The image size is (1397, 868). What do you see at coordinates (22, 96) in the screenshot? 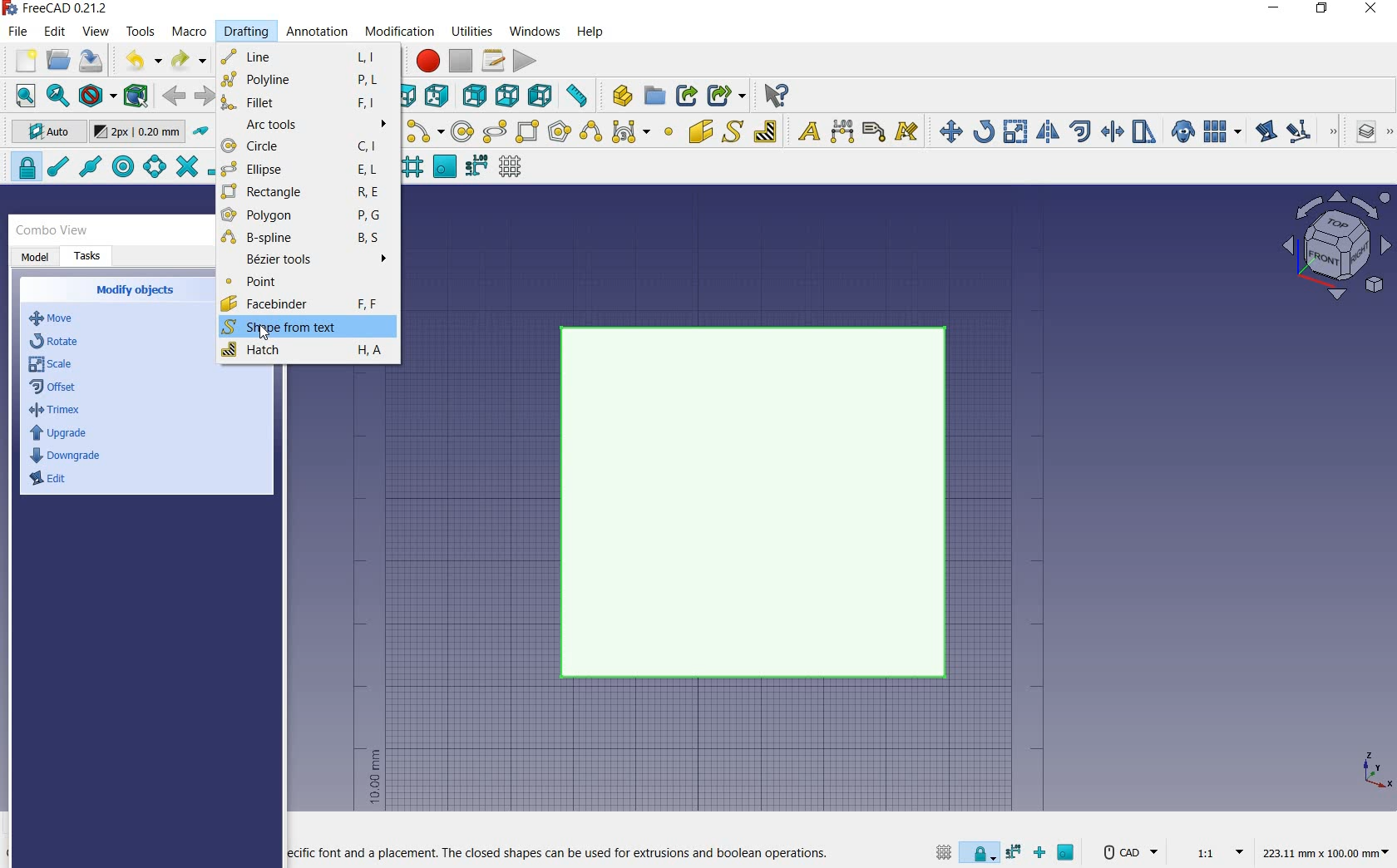
I see `fit all` at bounding box center [22, 96].